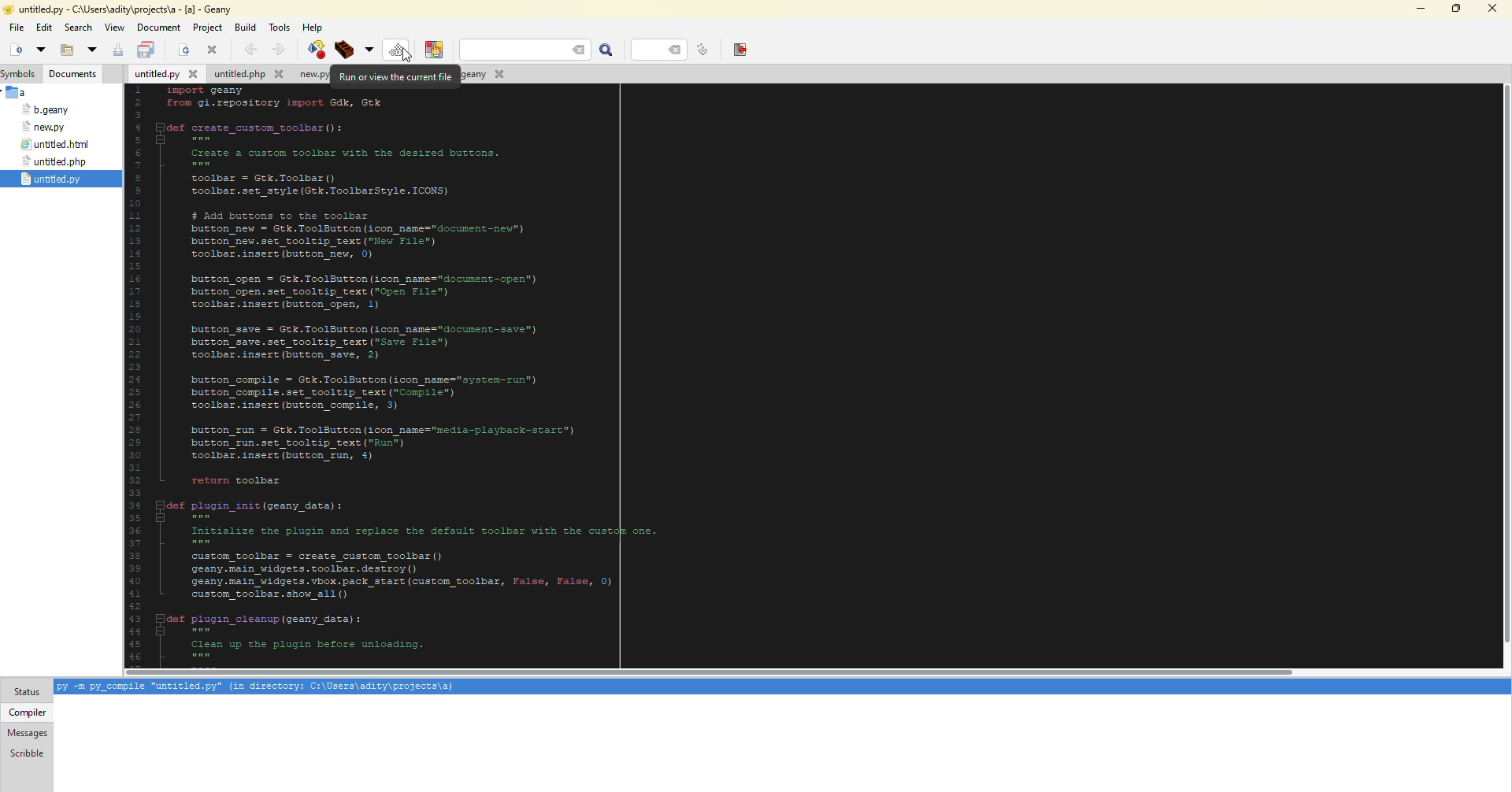 This screenshot has height=792, width=1512. I want to click on run, so click(397, 49).